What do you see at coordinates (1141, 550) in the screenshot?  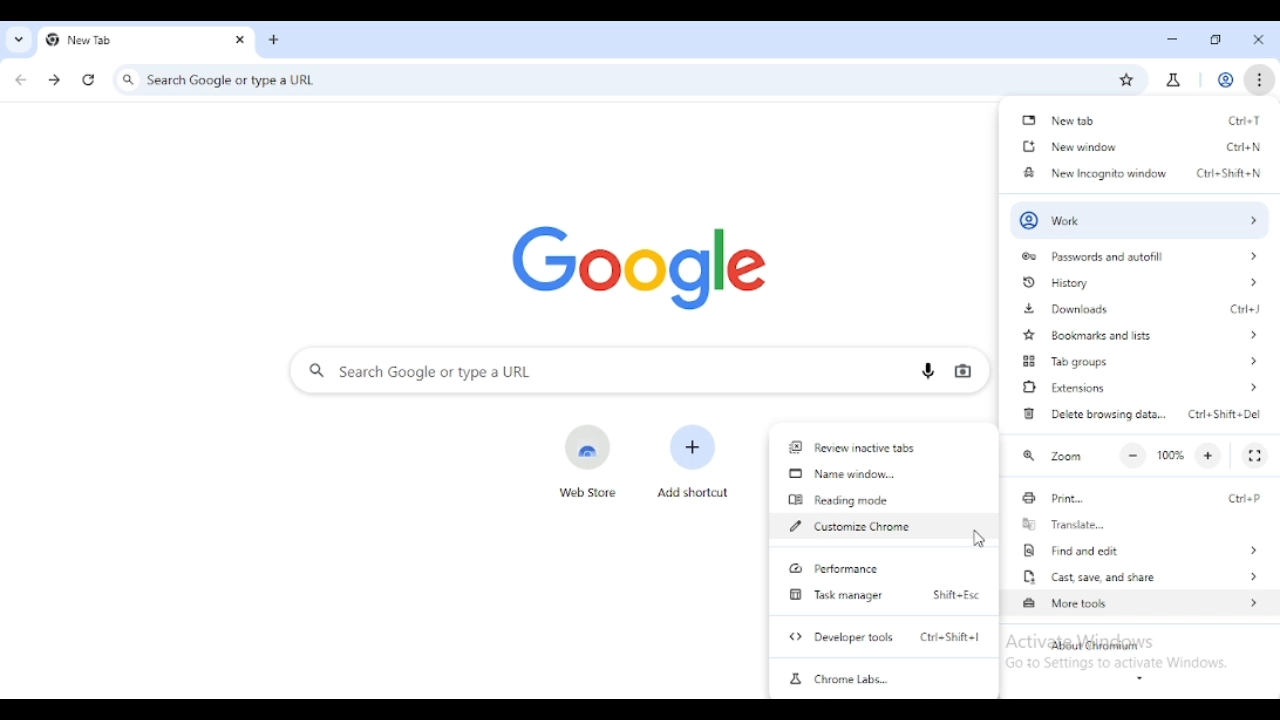 I see `find and edit` at bounding box center [1141, 550].